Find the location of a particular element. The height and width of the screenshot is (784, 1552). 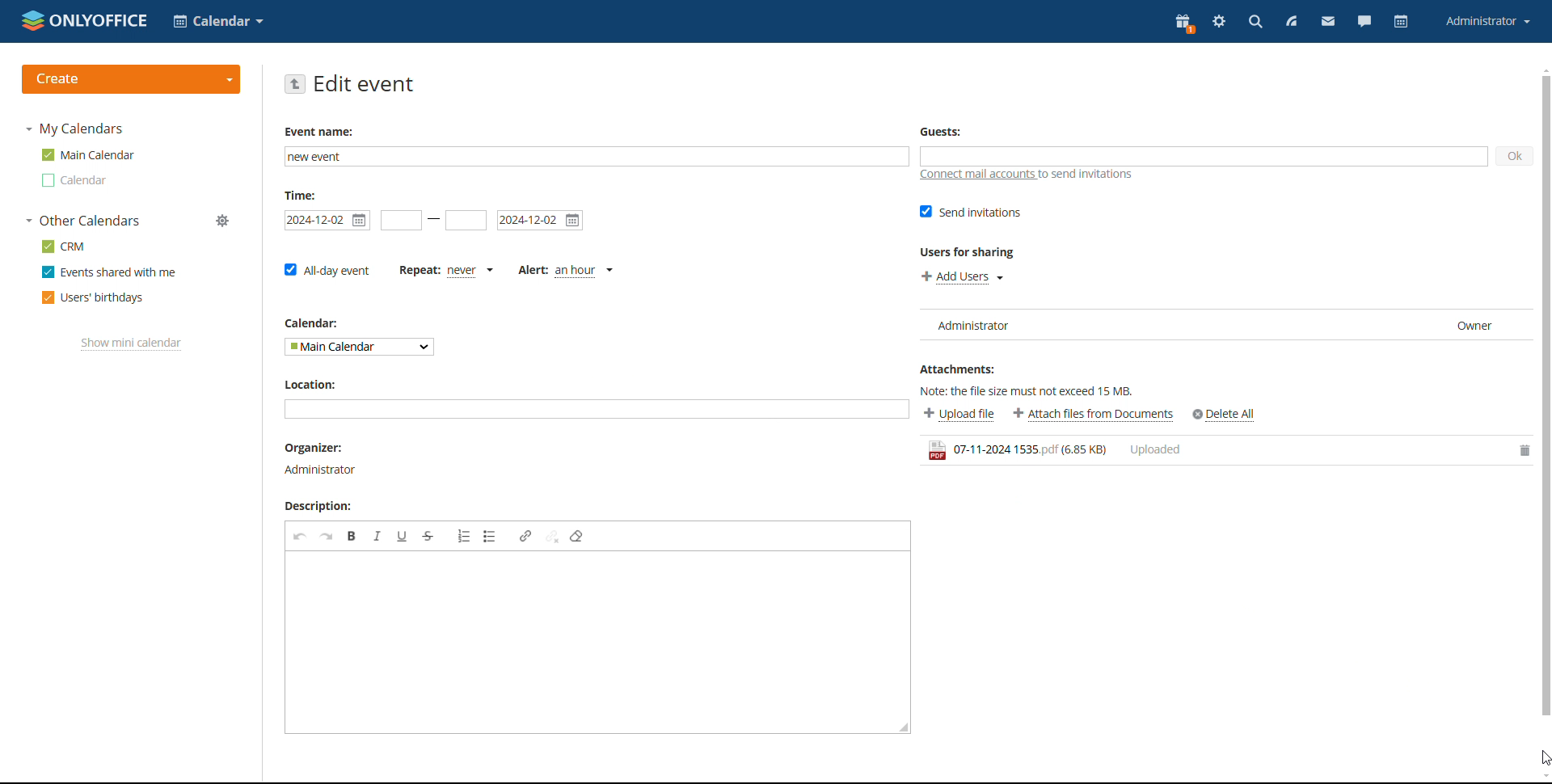

create is located at coordinates (131, 80).